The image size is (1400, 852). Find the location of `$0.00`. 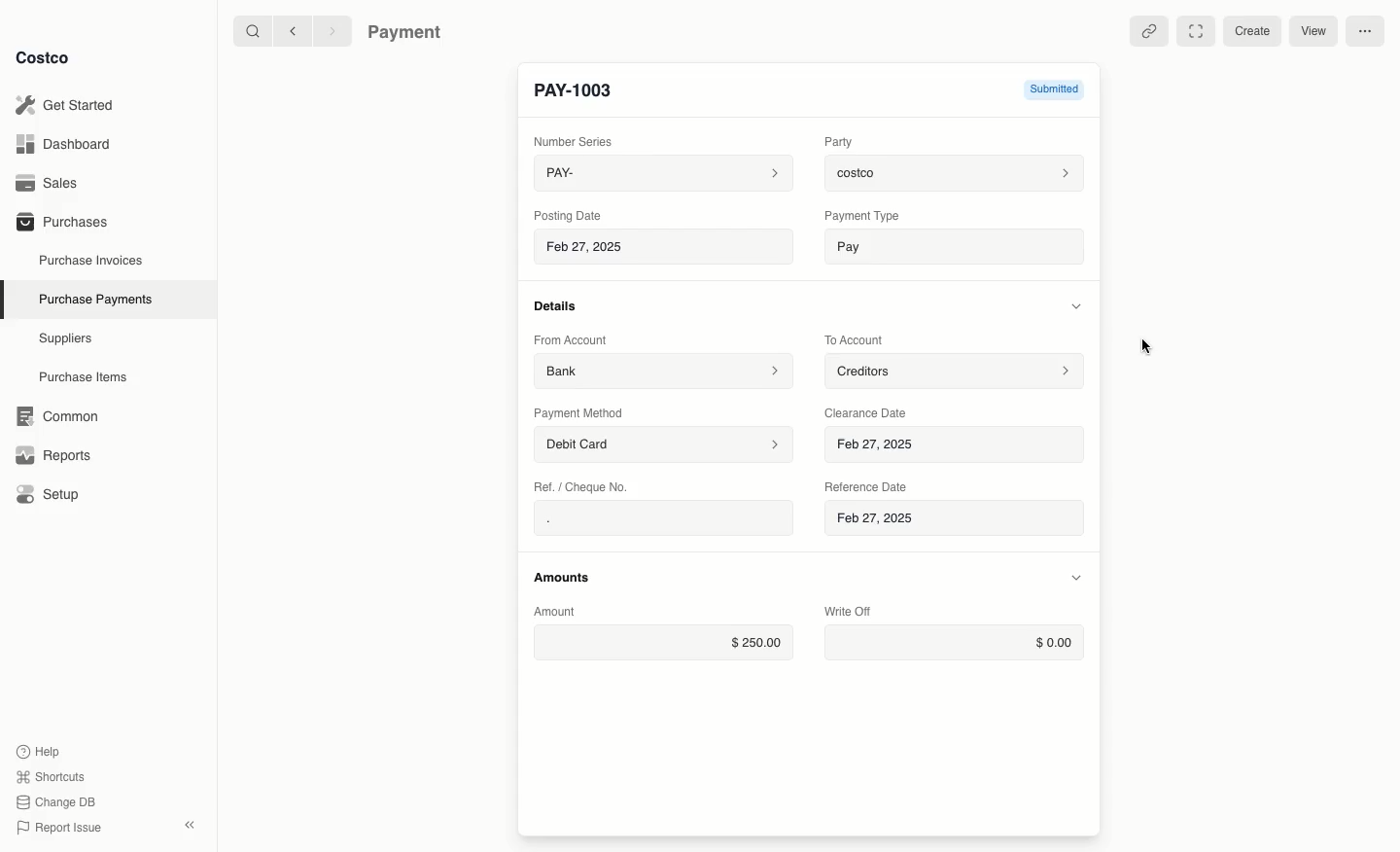

$0.00 is located at coordinates (948, 643).